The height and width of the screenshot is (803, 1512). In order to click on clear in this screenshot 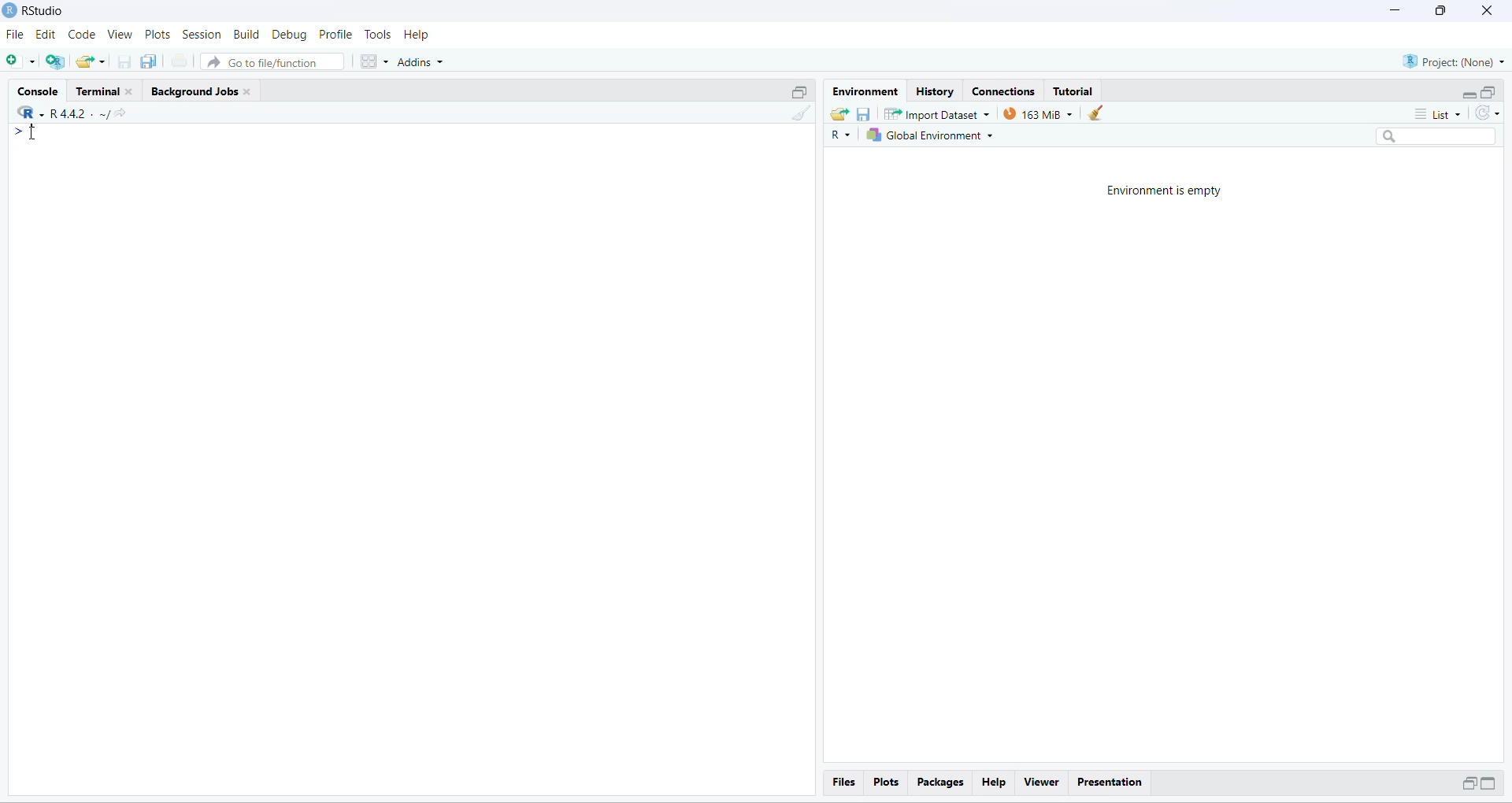, I will do `click(1098, 113)`.